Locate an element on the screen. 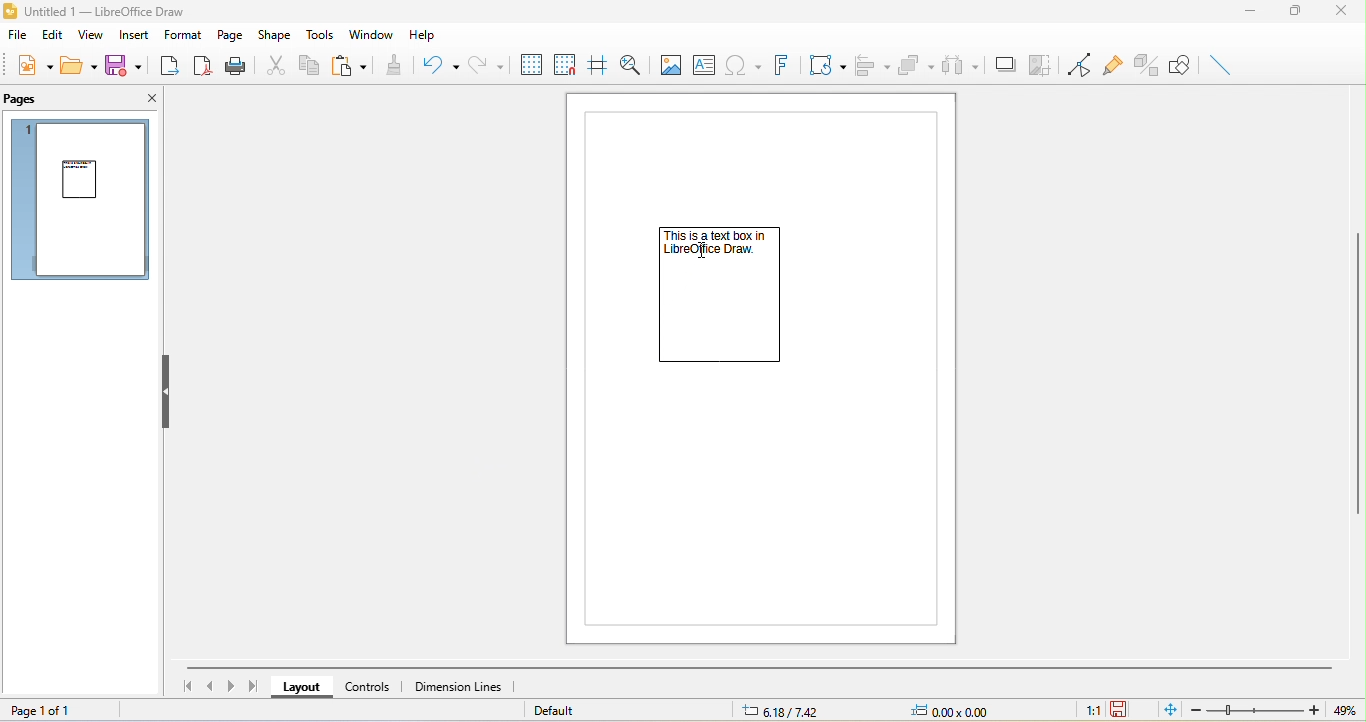 Image resolution: width=1366 pixels, height=722 pixels. print is located at coordinates (237, 65).